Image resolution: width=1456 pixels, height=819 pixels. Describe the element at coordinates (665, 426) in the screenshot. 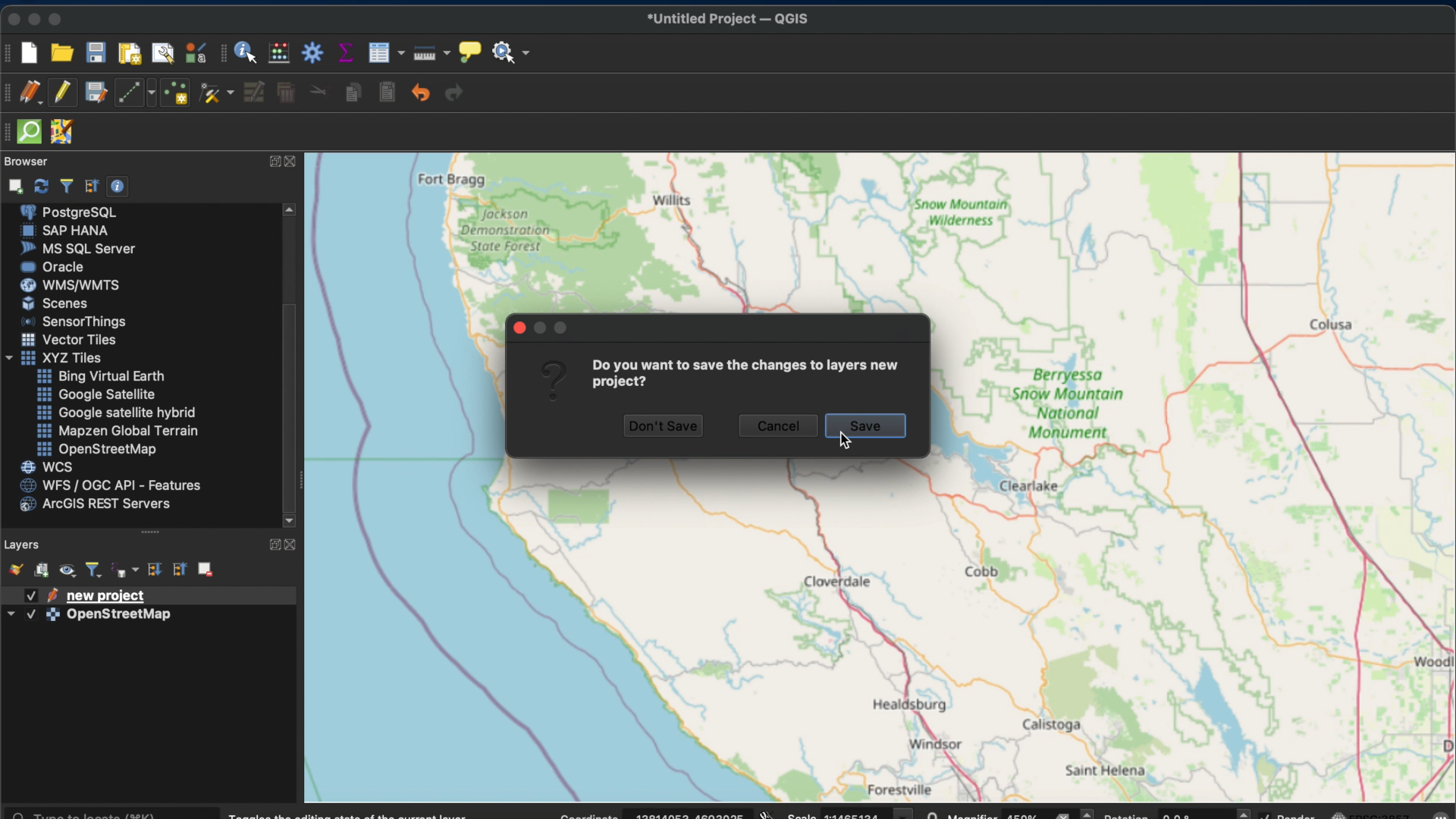

I see `don't save button` at that location.